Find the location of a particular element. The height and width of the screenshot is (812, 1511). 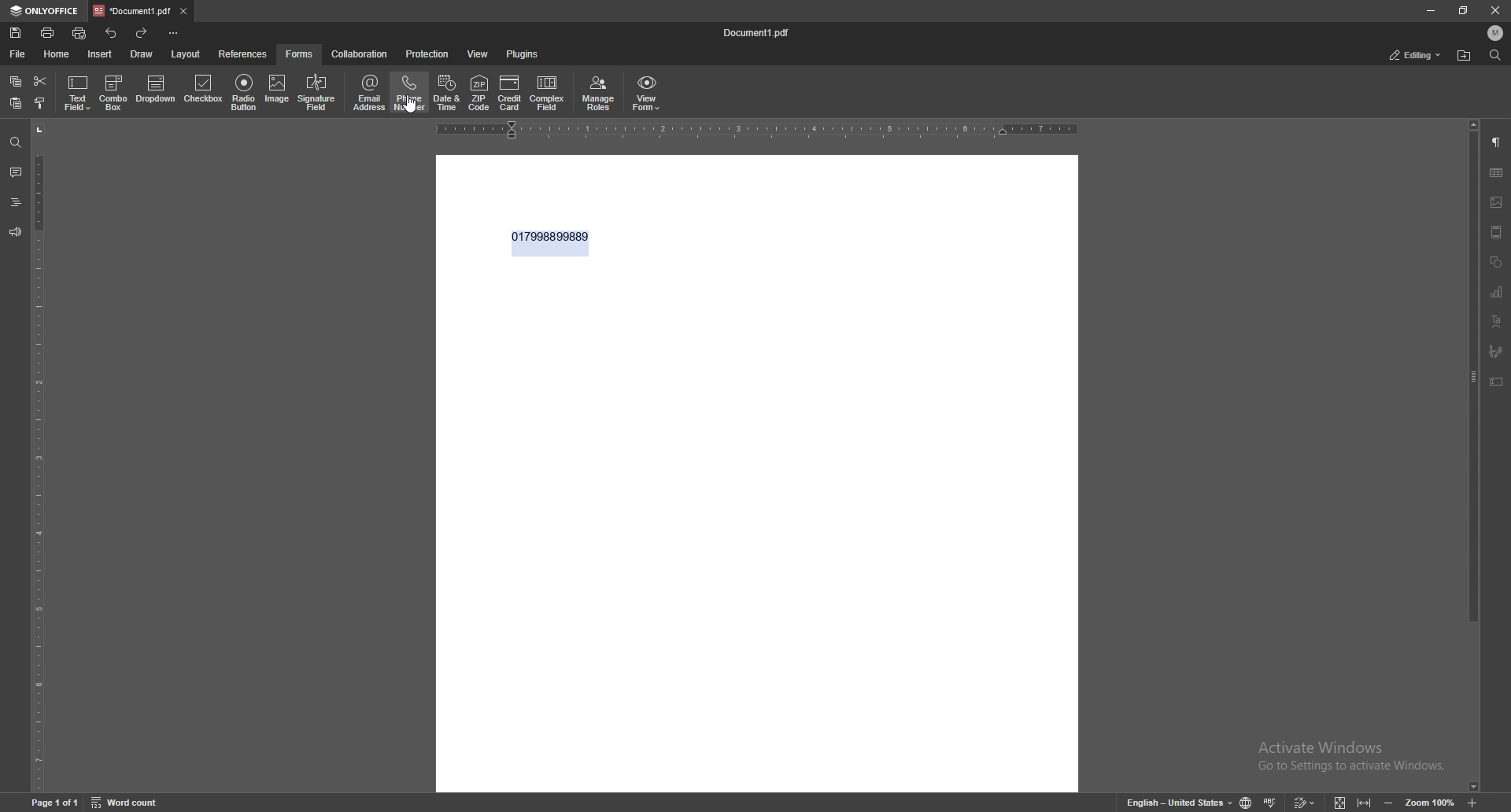

phone number is located at coordinates (410, 92).